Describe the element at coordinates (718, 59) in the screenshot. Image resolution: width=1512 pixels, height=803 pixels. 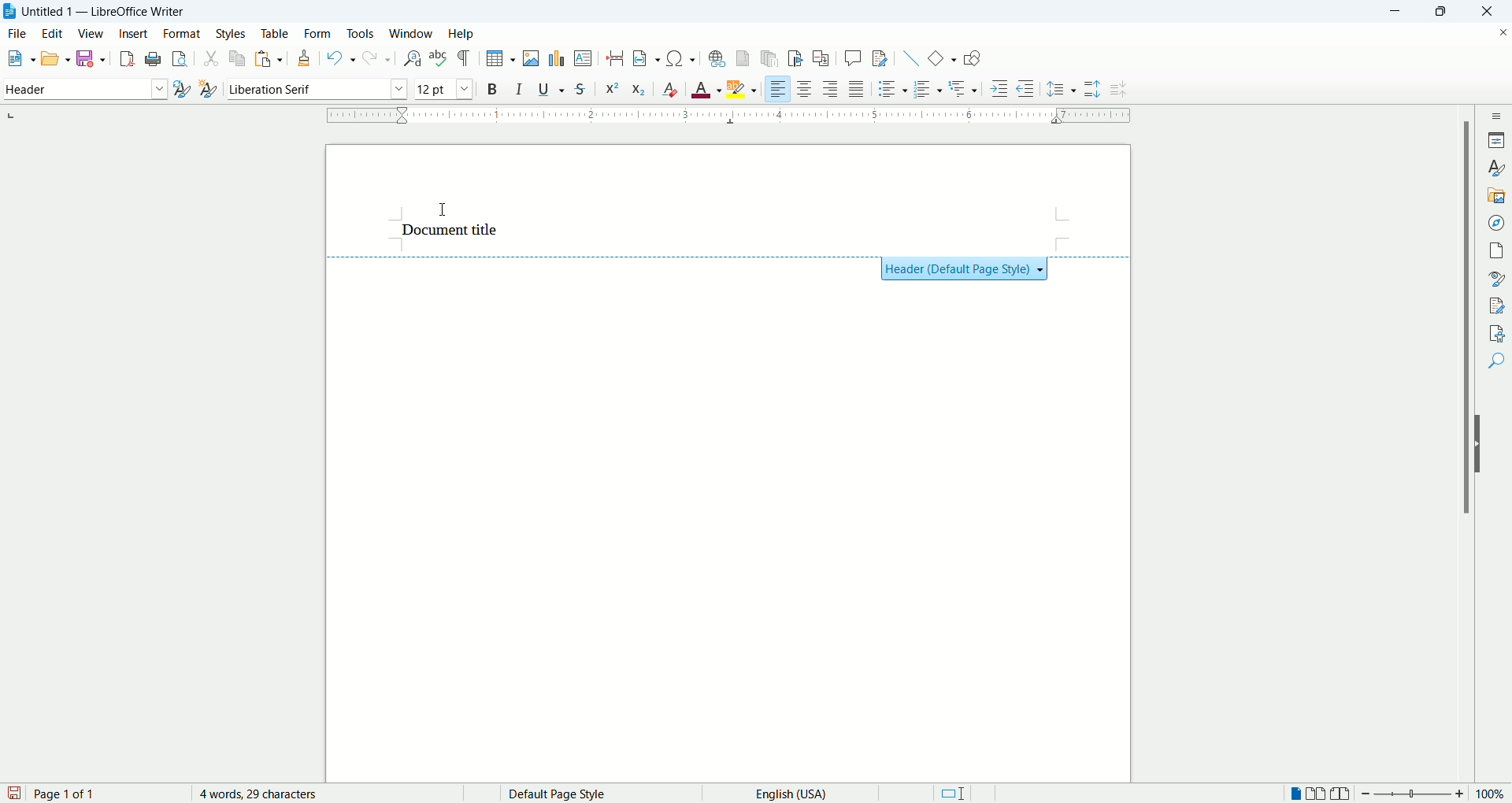
I see `insert footnote` at that location.